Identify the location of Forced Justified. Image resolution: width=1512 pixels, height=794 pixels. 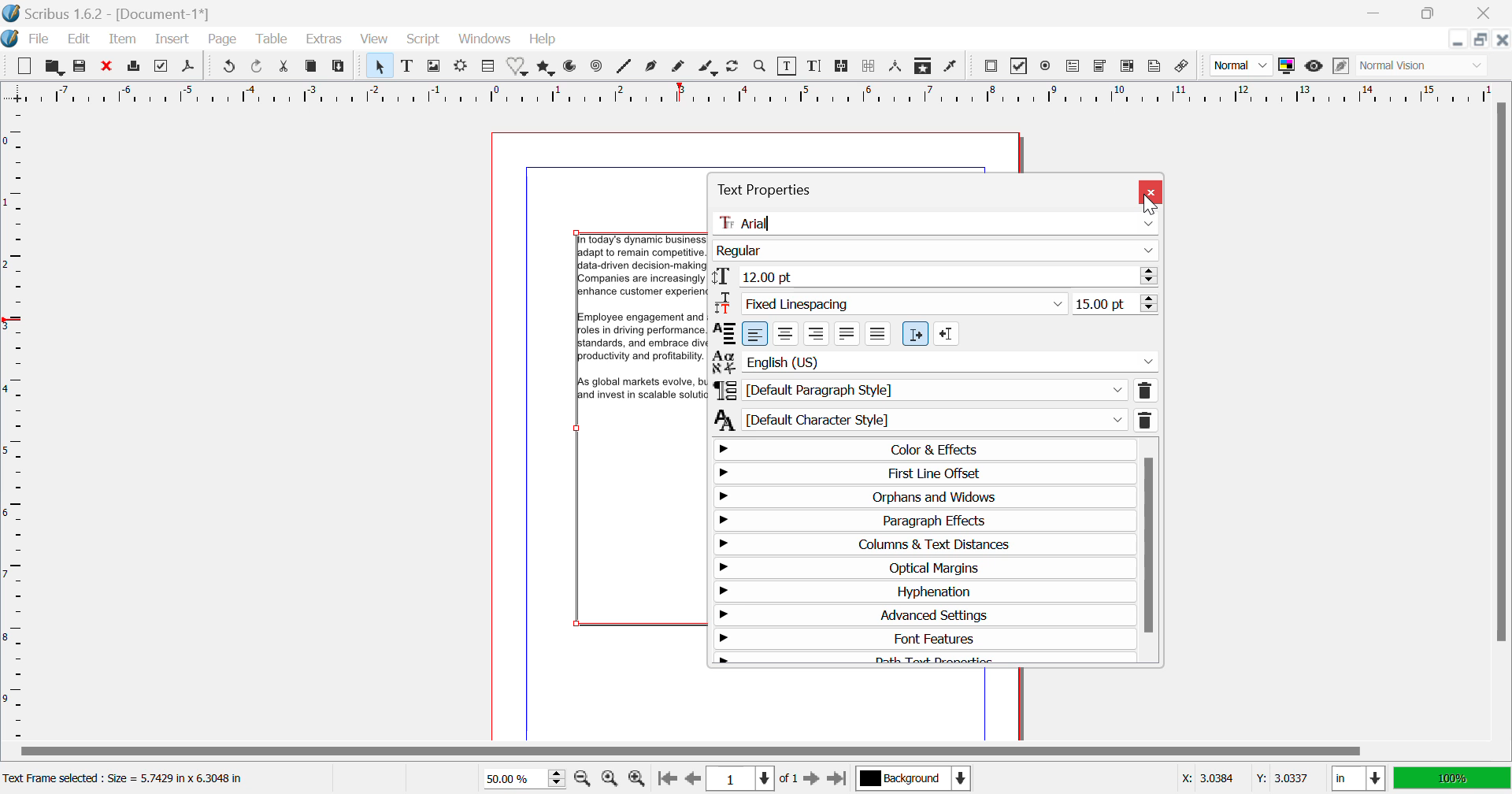
(877, 335).